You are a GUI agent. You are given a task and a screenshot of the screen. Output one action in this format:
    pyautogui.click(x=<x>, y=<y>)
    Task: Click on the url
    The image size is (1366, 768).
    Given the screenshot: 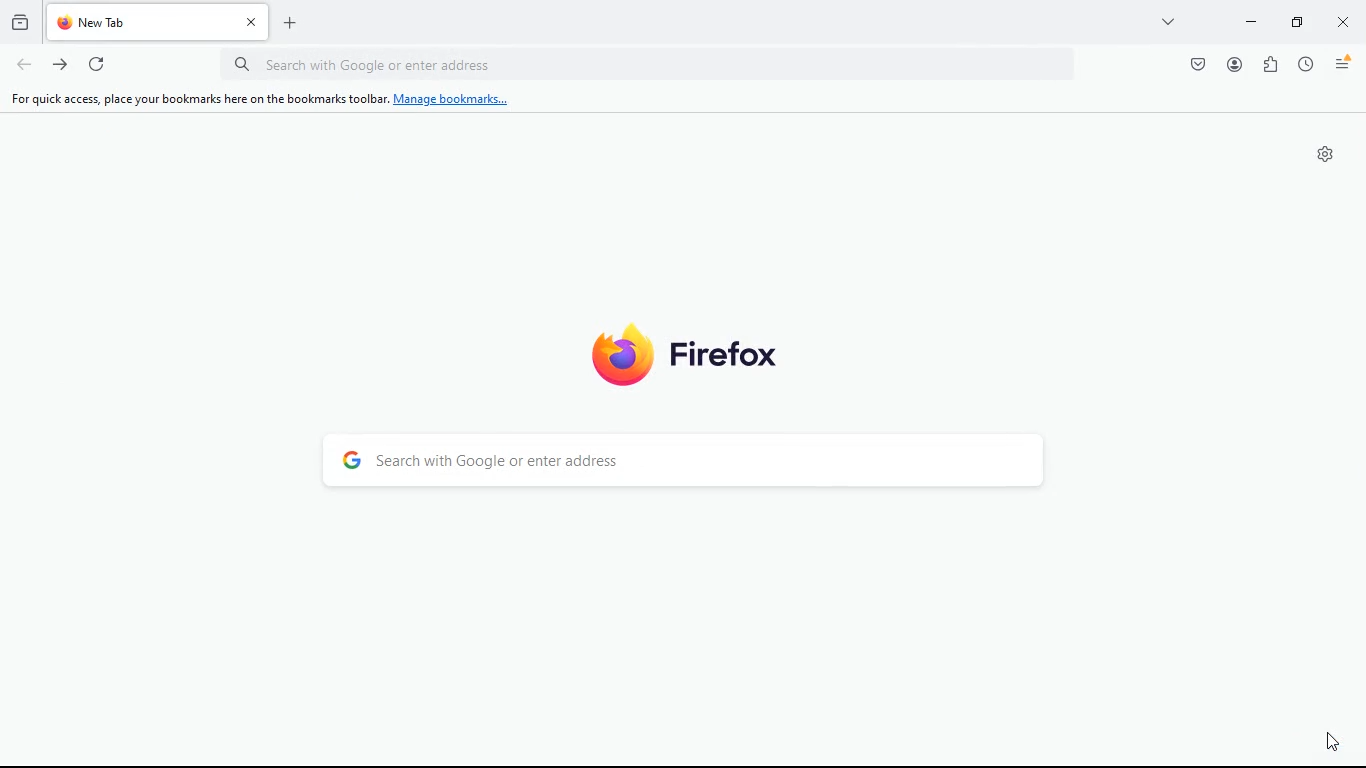 What is the action you would take?
    pyautogui.click(x=654, y=64)
    